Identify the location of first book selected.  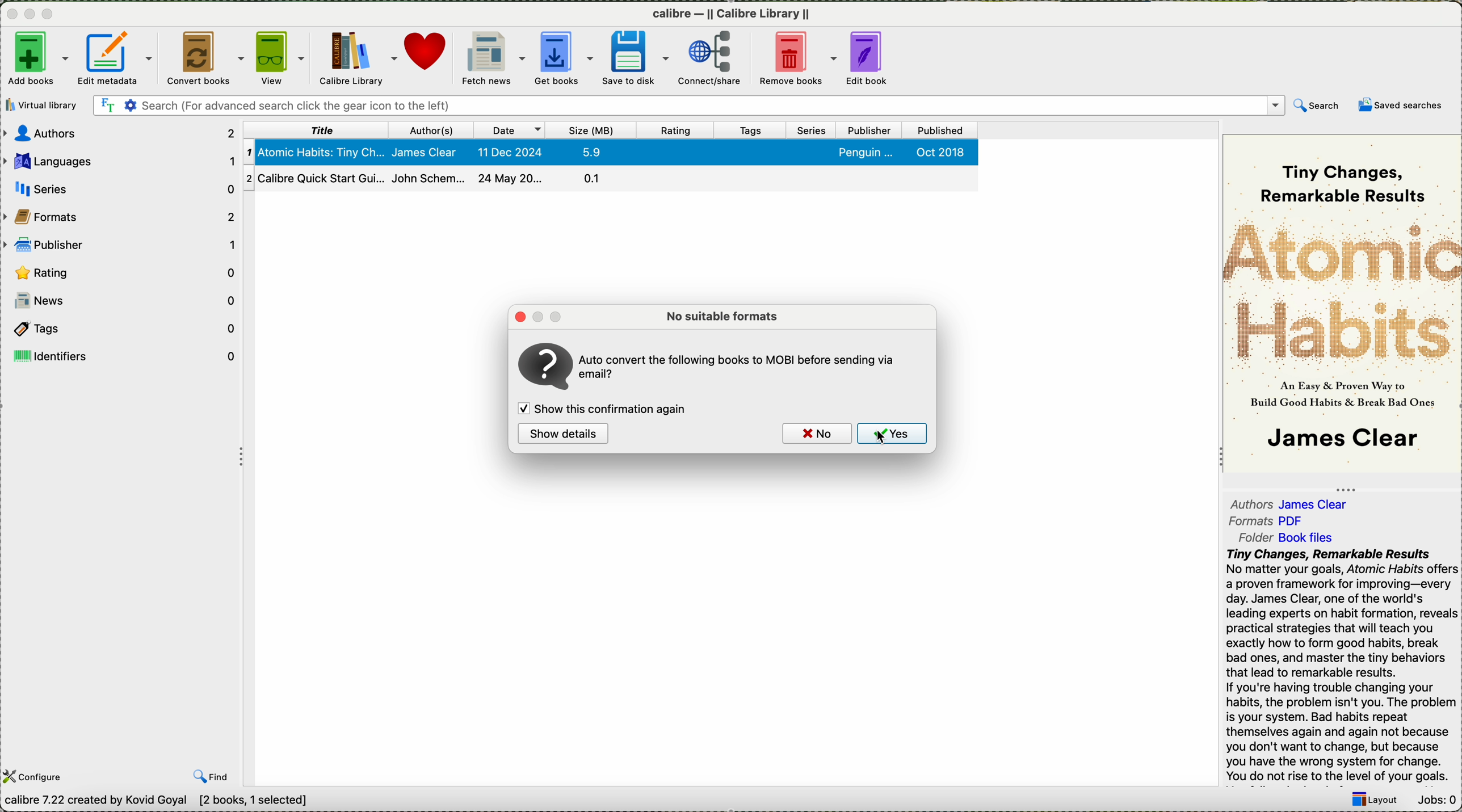
(612, 152).